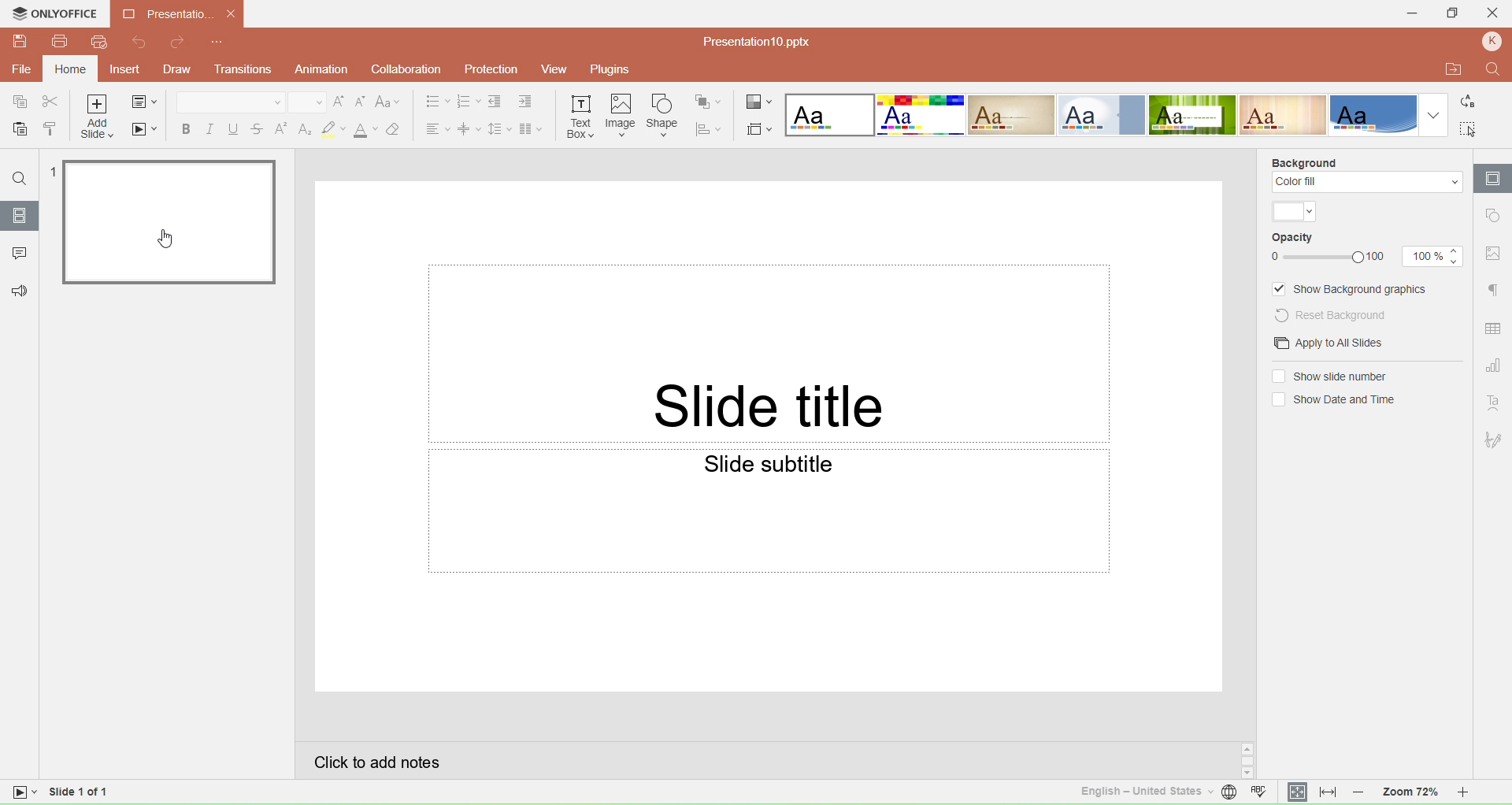  Describe the element at coordinates (1492, 217) in the screenshot. I see `Slide setting` at that location.